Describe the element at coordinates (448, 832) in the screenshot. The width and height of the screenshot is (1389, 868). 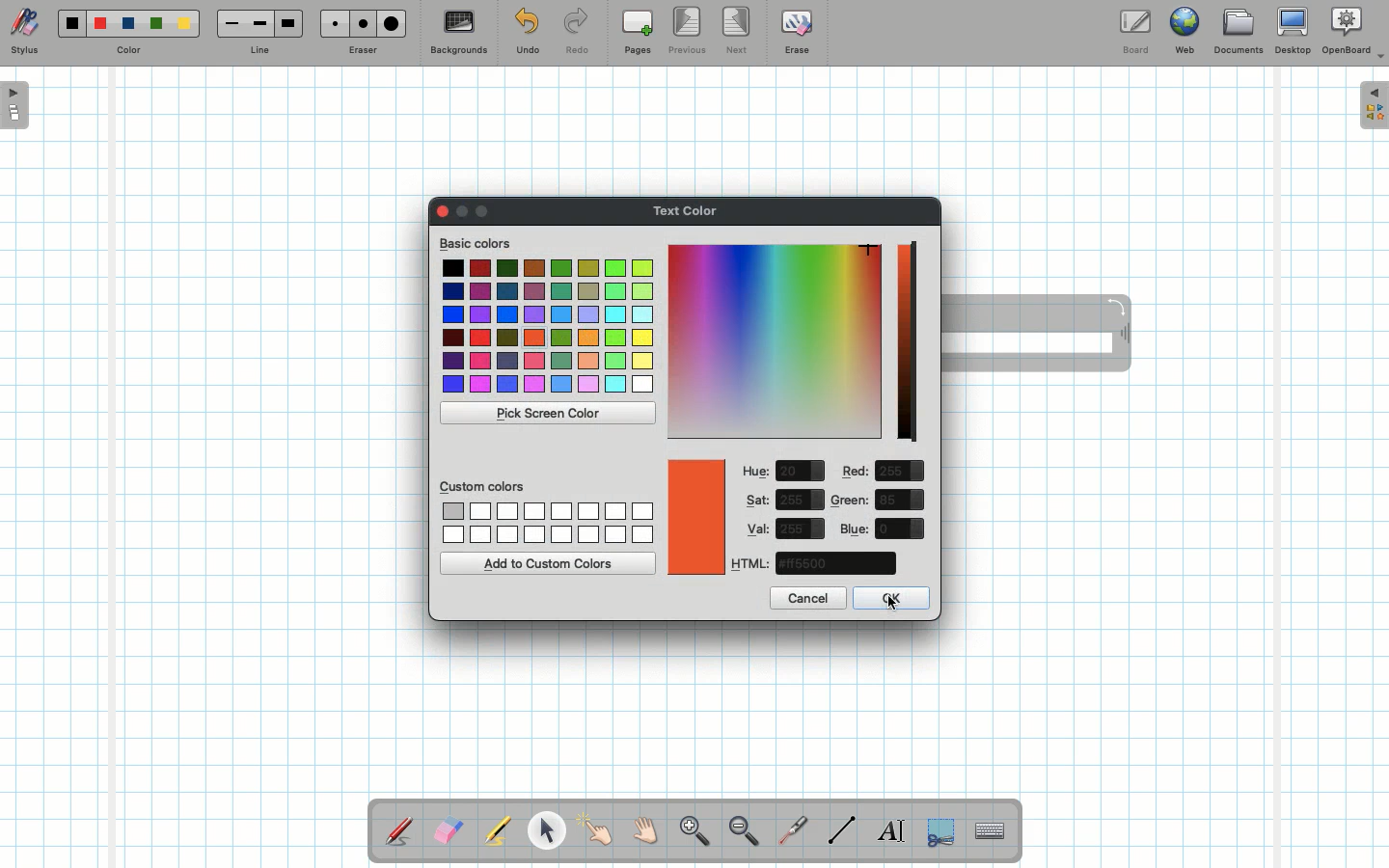
I see `Eraser` at that location.